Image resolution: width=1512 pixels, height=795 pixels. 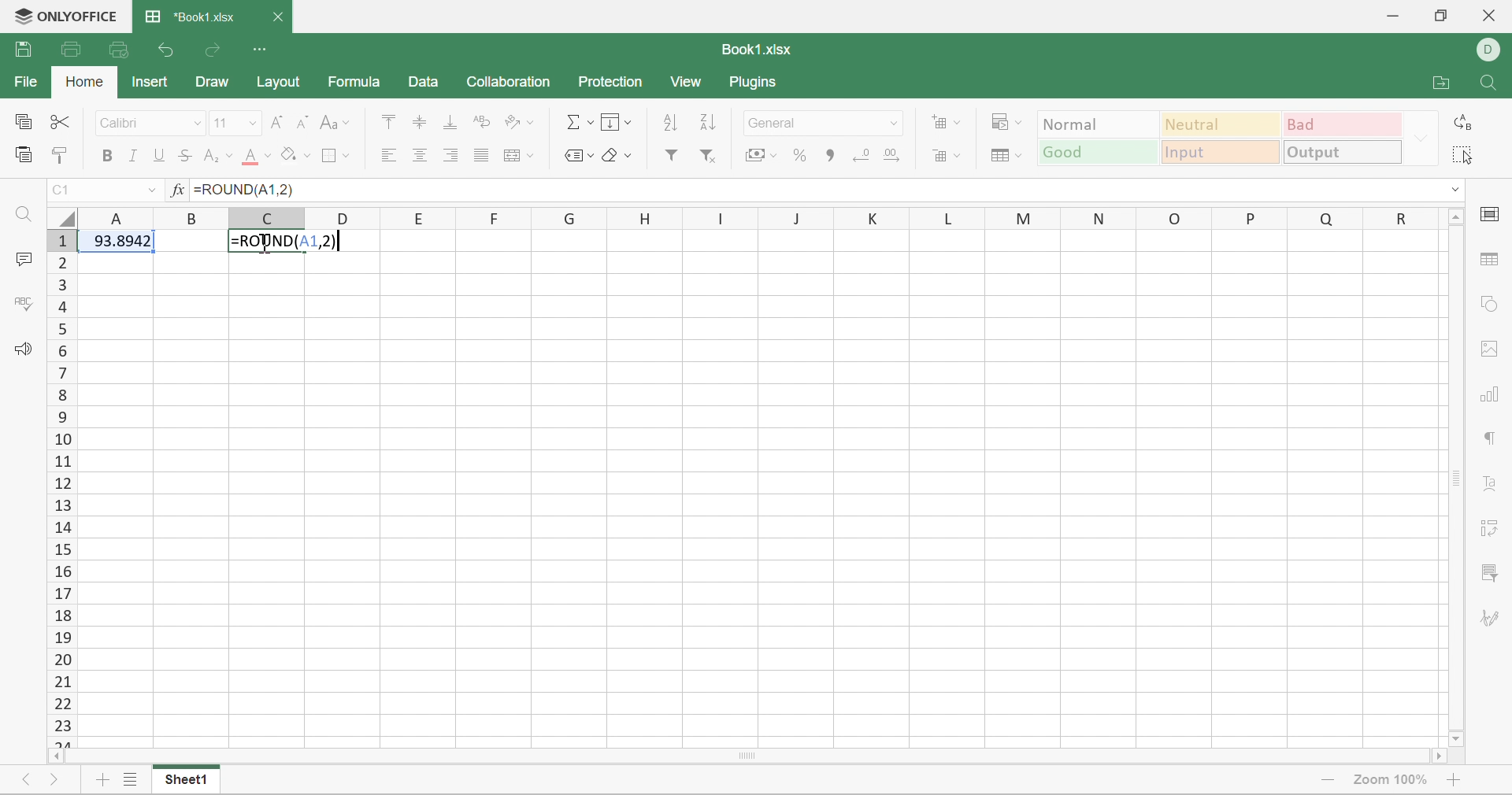 What do you see at coordinates (123, 122) in the screenshot?
I see `Font` at bounding box center [123, 122].